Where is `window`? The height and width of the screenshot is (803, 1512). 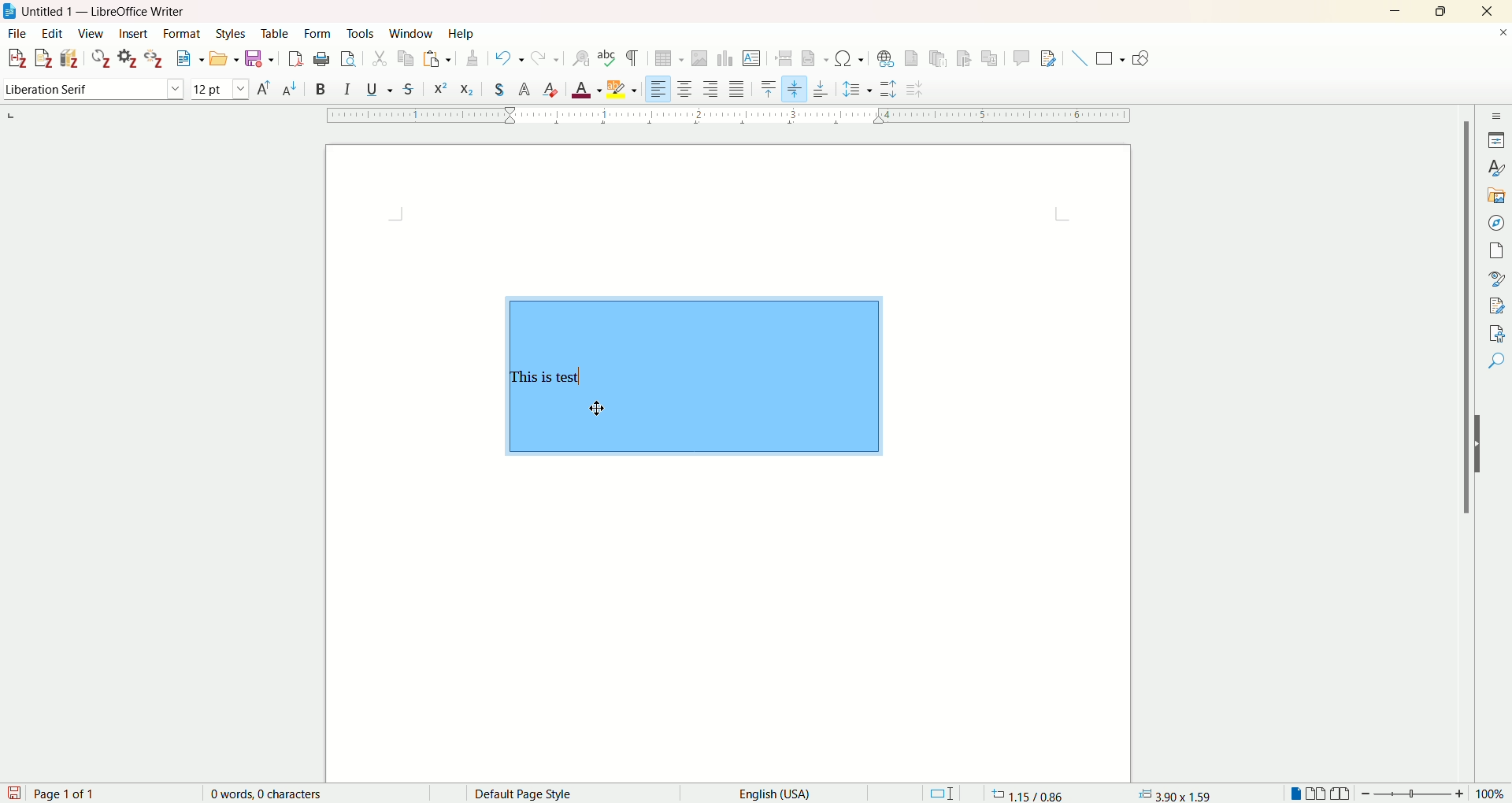
window is located at coordinates (410, 32).